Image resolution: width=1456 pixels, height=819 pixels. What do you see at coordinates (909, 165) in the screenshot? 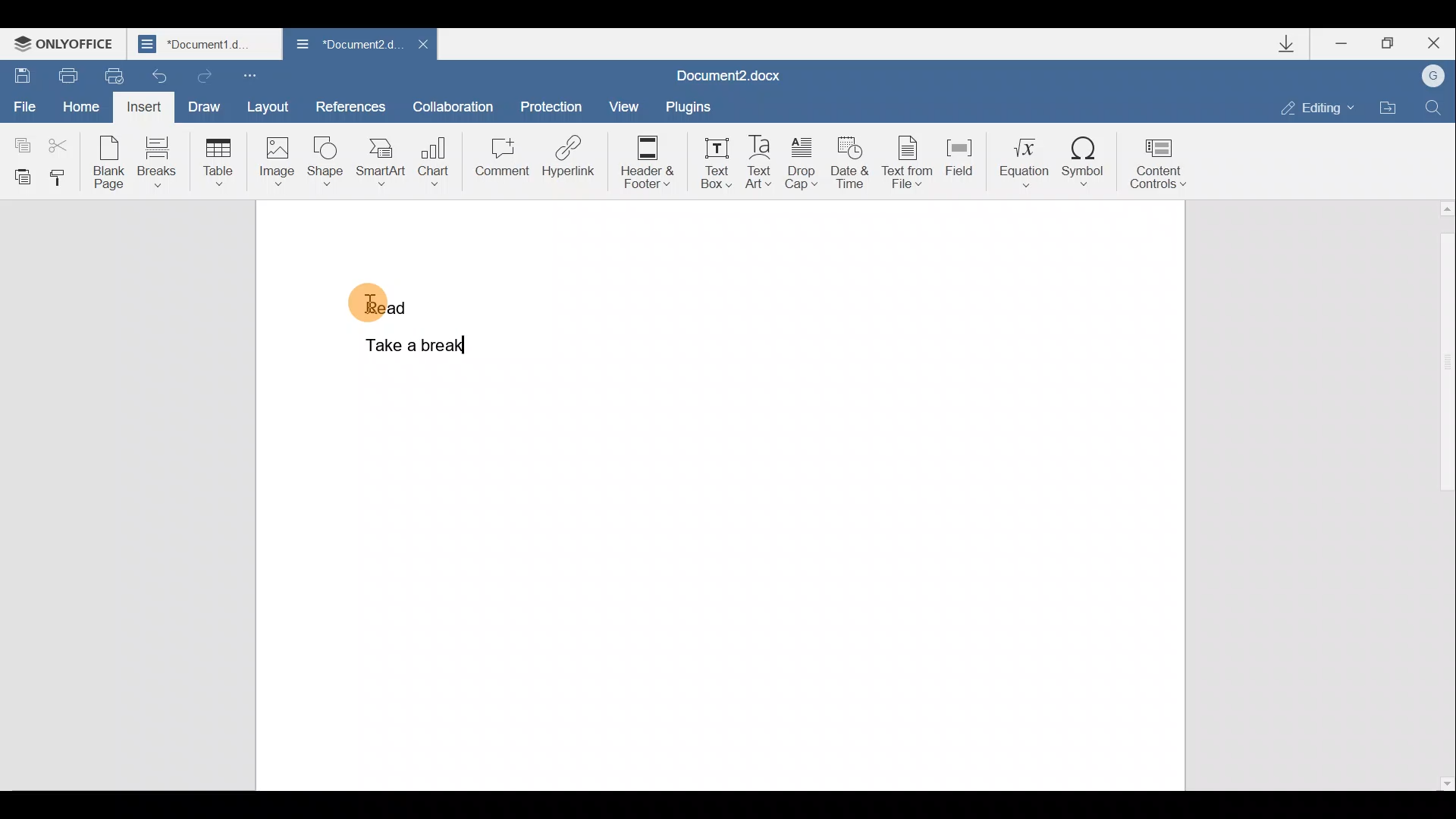
I see `Text from file` at bounding box center [909, 165].